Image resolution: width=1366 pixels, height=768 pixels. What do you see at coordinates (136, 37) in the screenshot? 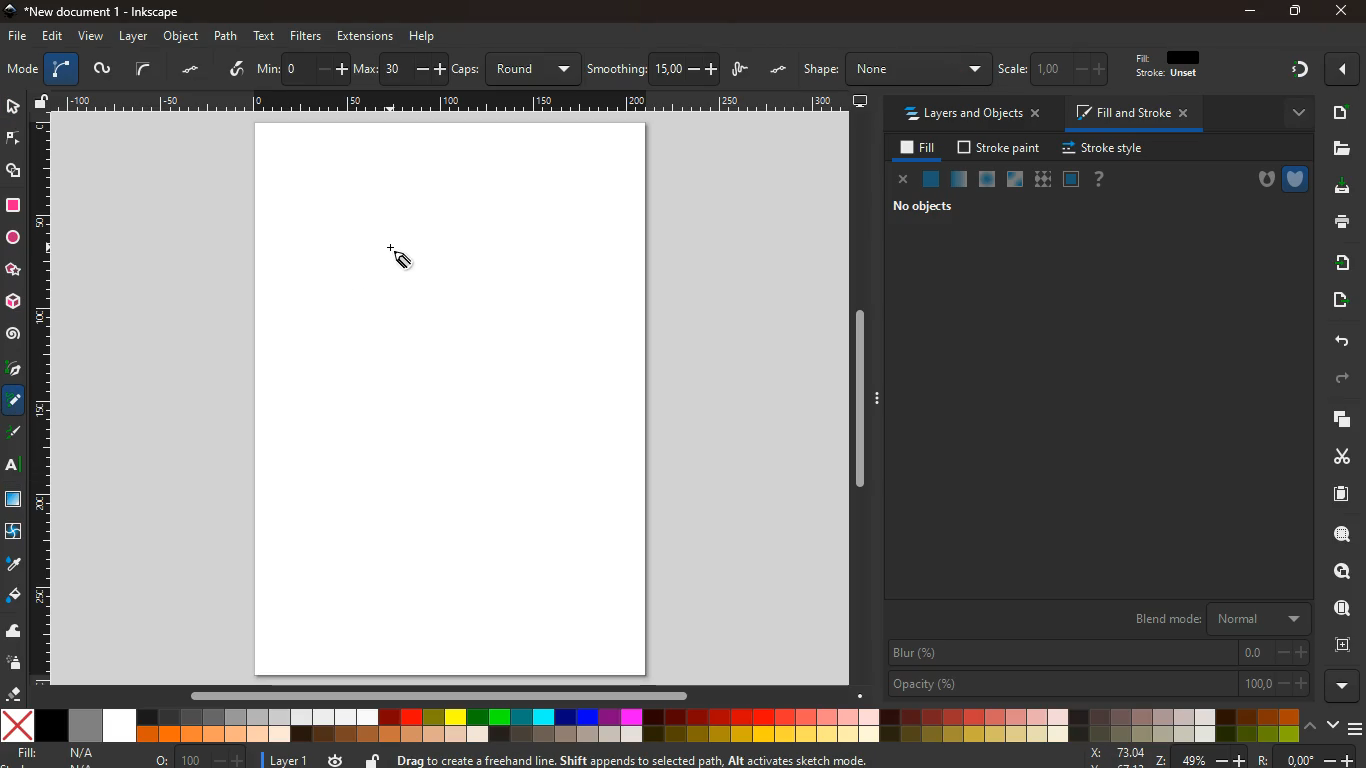
I see `layer` at bounding box center [136, 37].